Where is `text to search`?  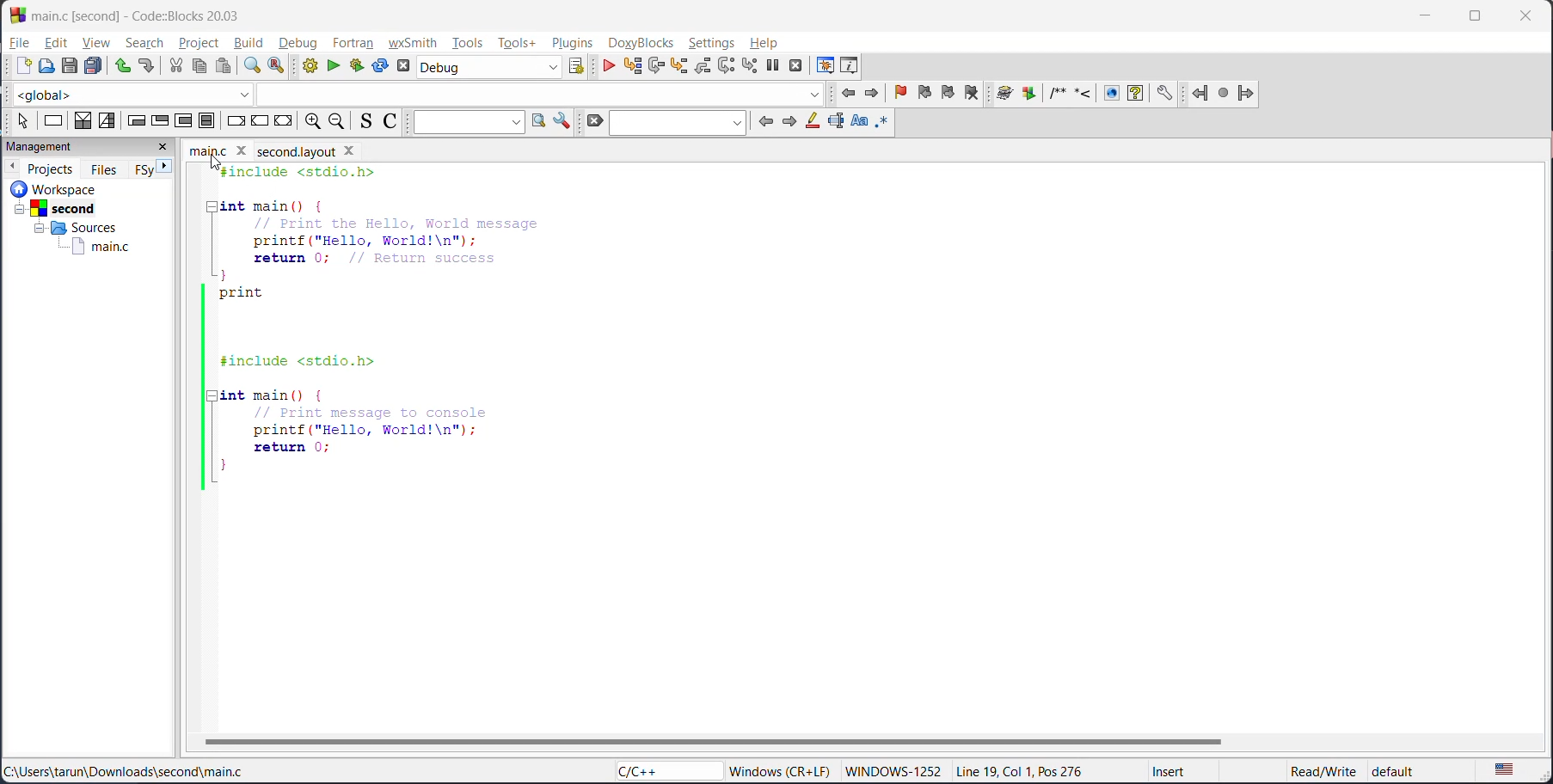 text to search is located at coordinates (465, 122).